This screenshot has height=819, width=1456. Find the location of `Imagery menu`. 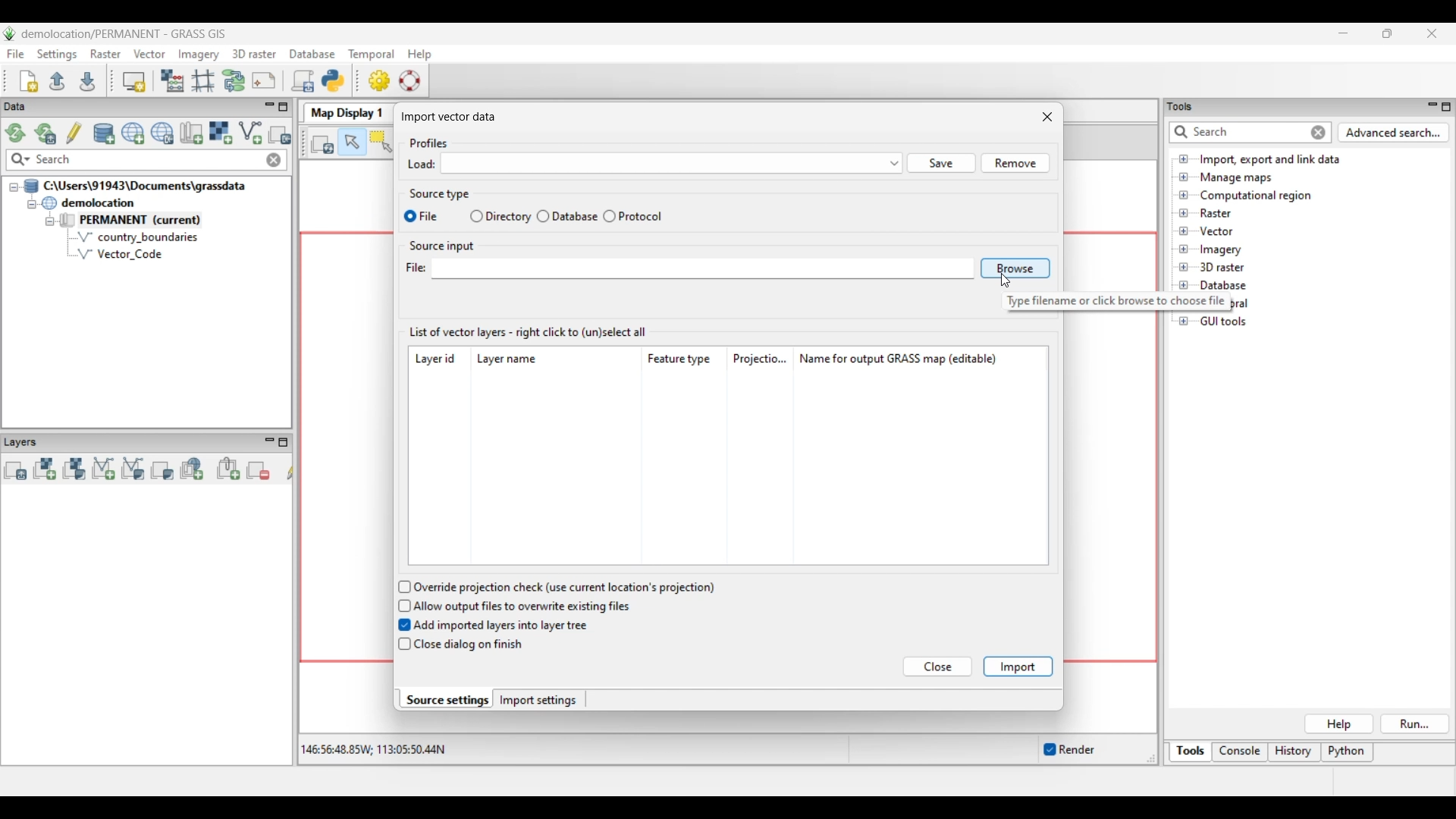

Imagery menu is located at coordinates (199, 55).